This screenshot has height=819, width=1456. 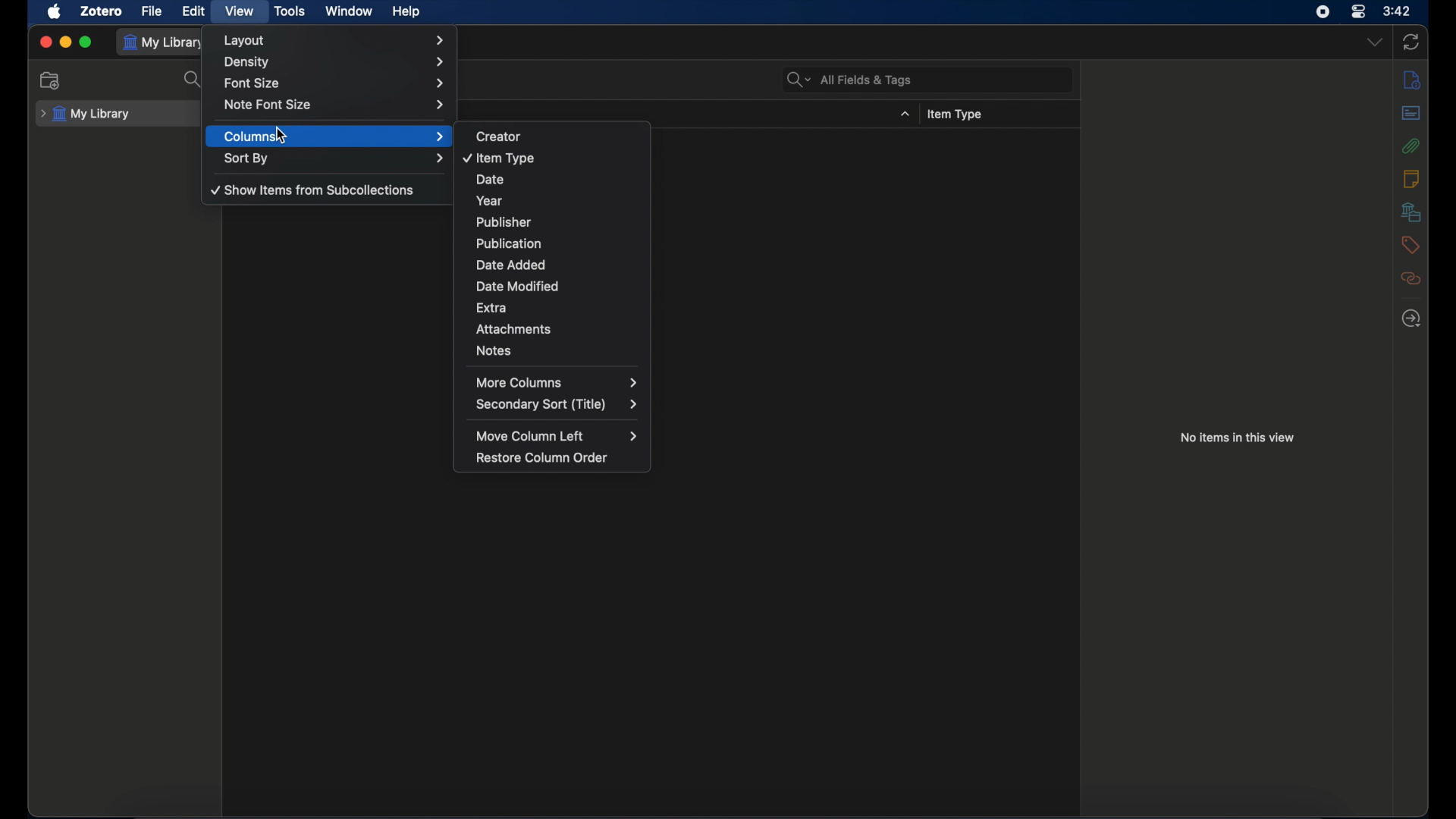 What do you see at coordinates (559, 243) in the screenshot?
I see `publication` at bounding box center [559, 243].